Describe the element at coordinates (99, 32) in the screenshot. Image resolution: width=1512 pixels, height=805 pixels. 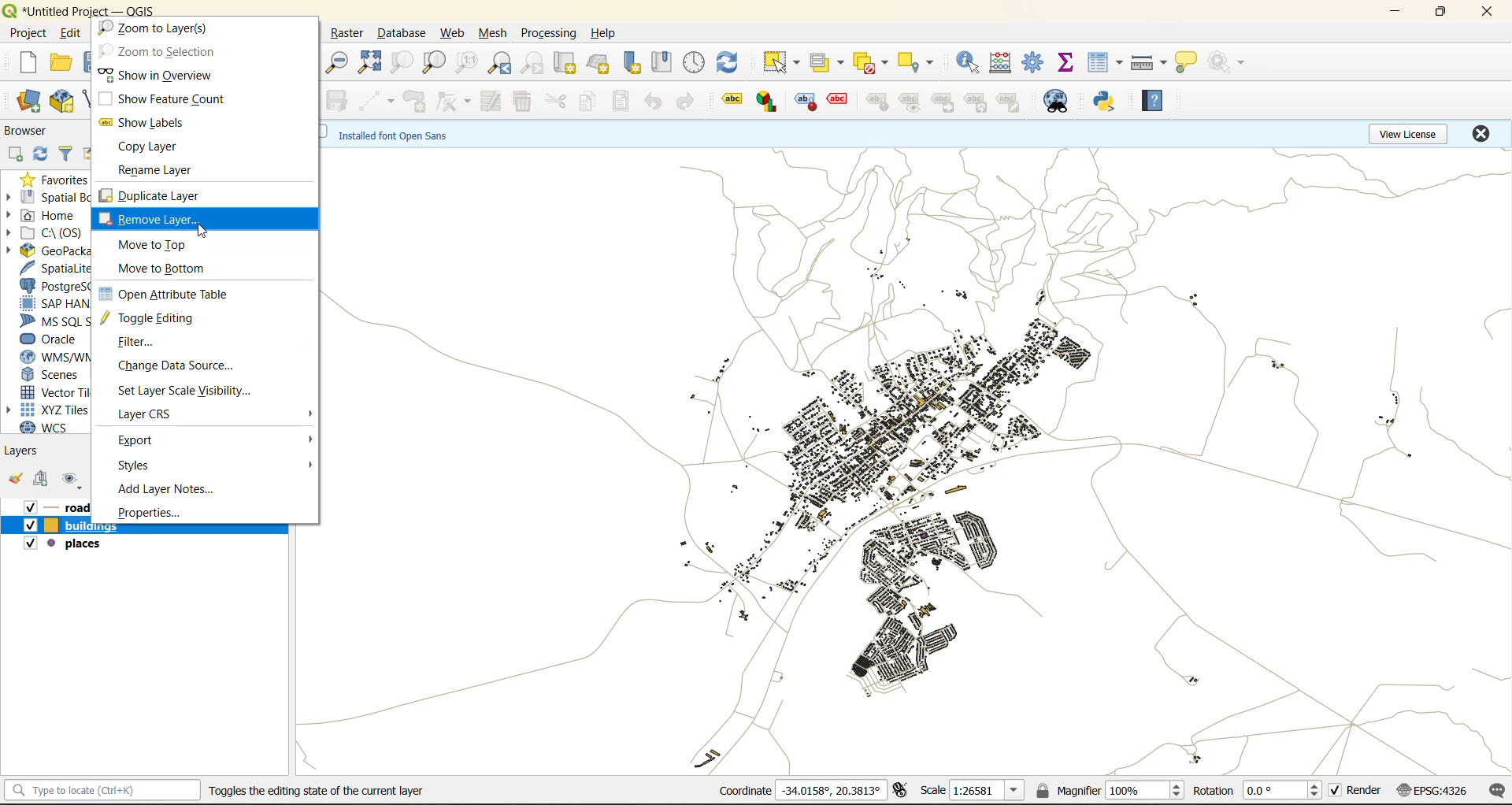
I see `view` at that location.